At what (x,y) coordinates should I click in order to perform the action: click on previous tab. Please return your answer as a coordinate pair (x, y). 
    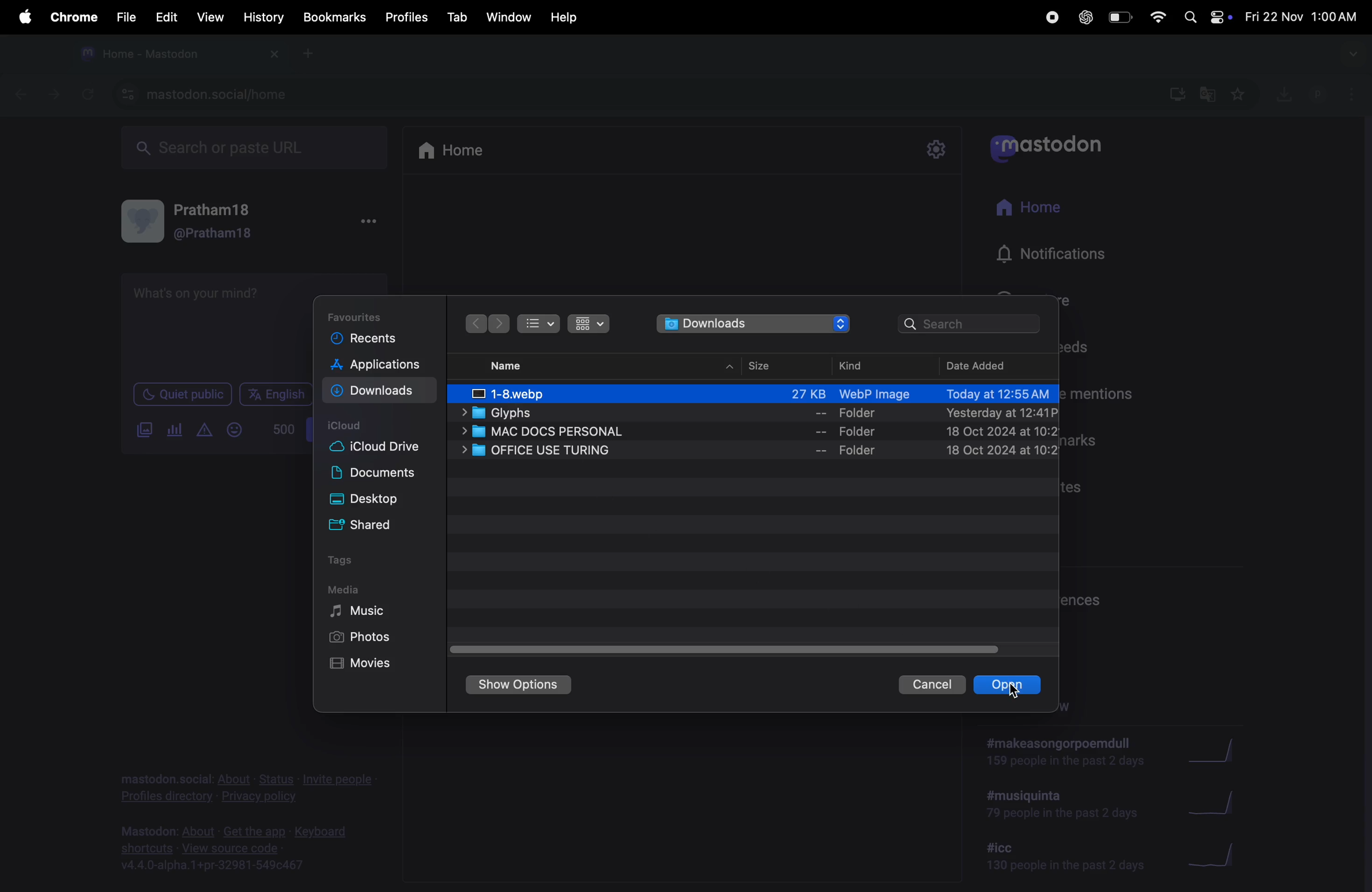
    Looking at the image, I should click on (22, 96).